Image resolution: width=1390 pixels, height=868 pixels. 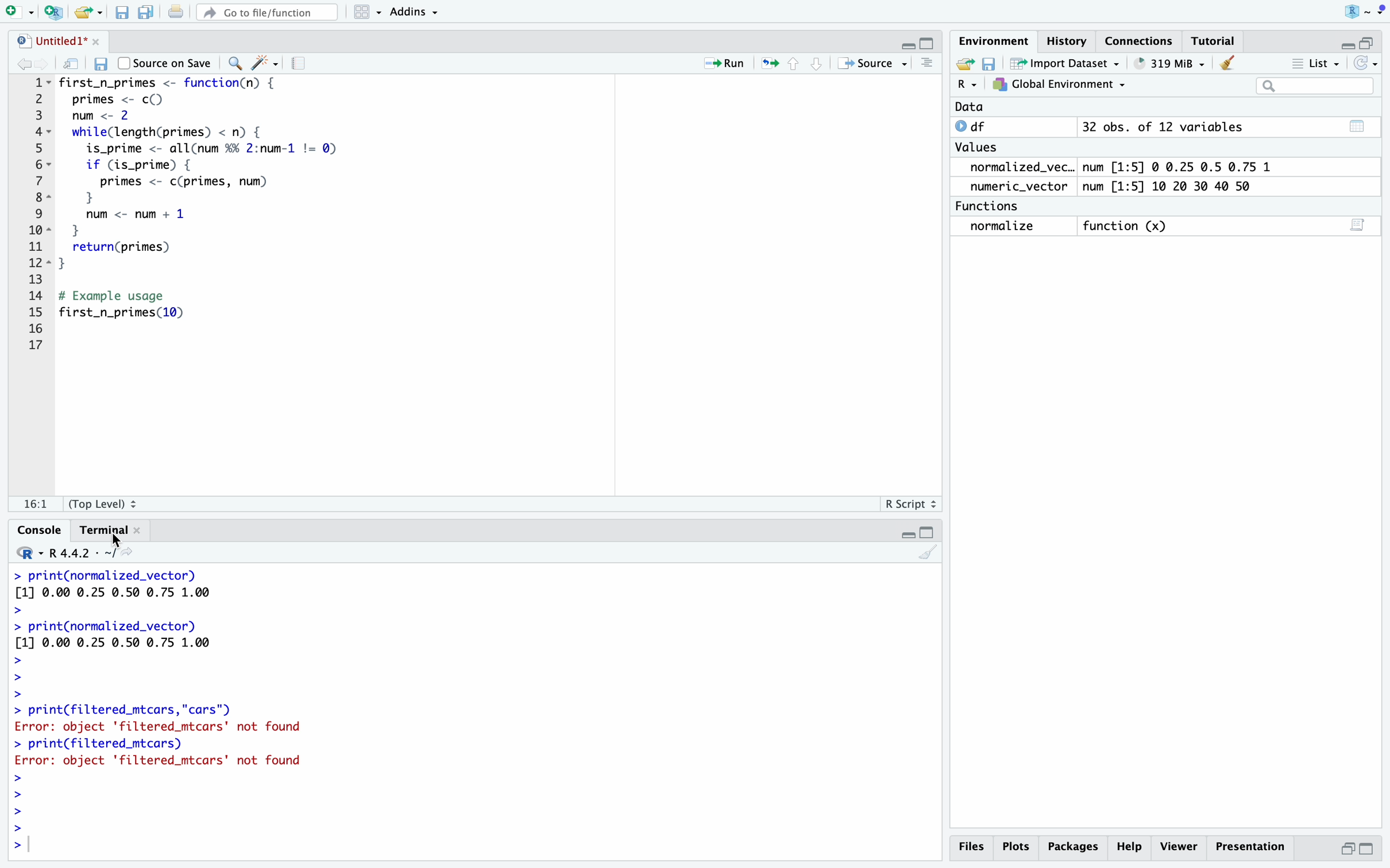 What do you see at coordinates (363, 10) in the screenshot?
I see `workspaces` at bounding box center [363, 10].